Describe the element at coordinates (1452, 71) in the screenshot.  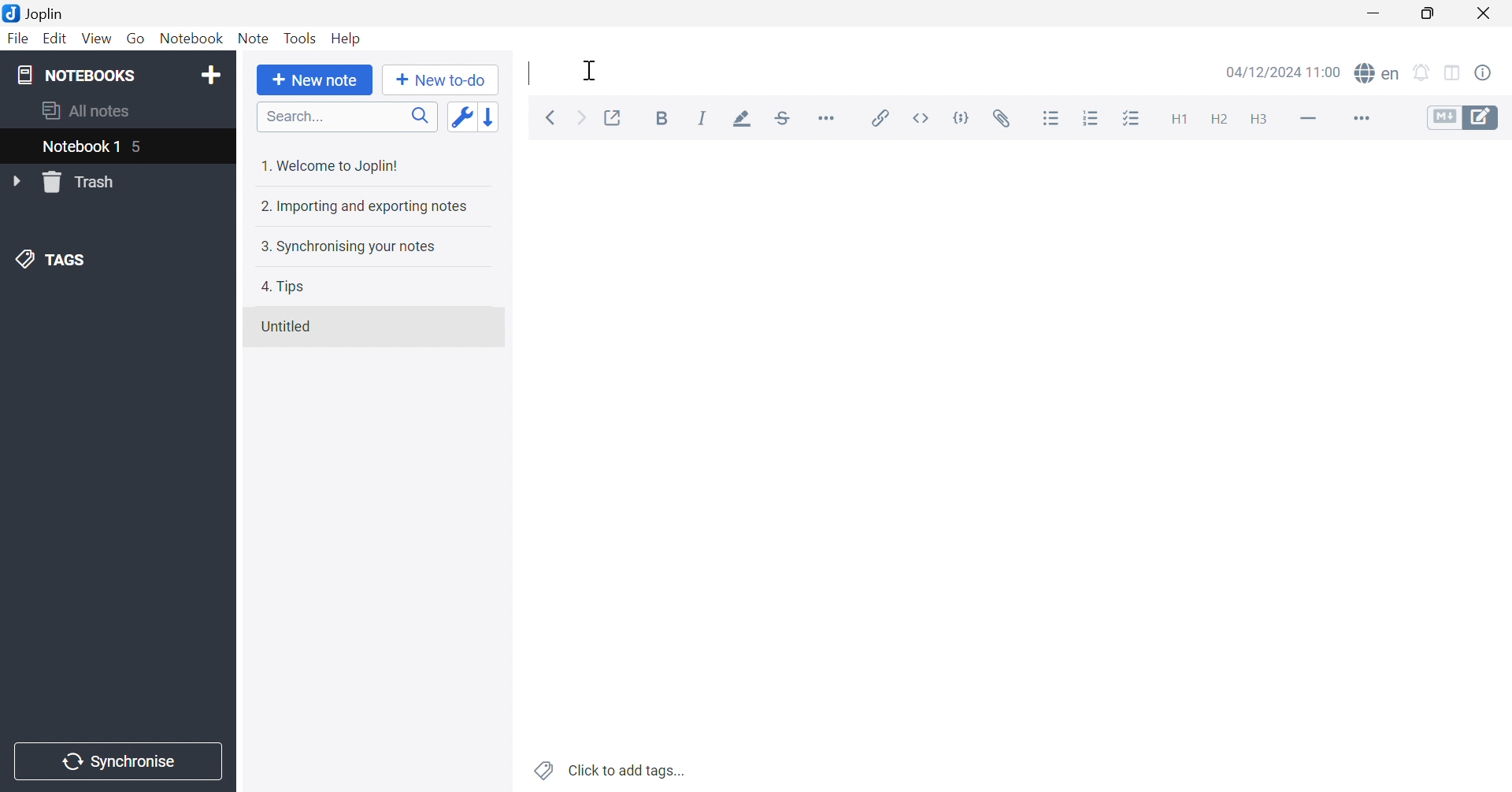
I see `Toggle editors layout` at that location.